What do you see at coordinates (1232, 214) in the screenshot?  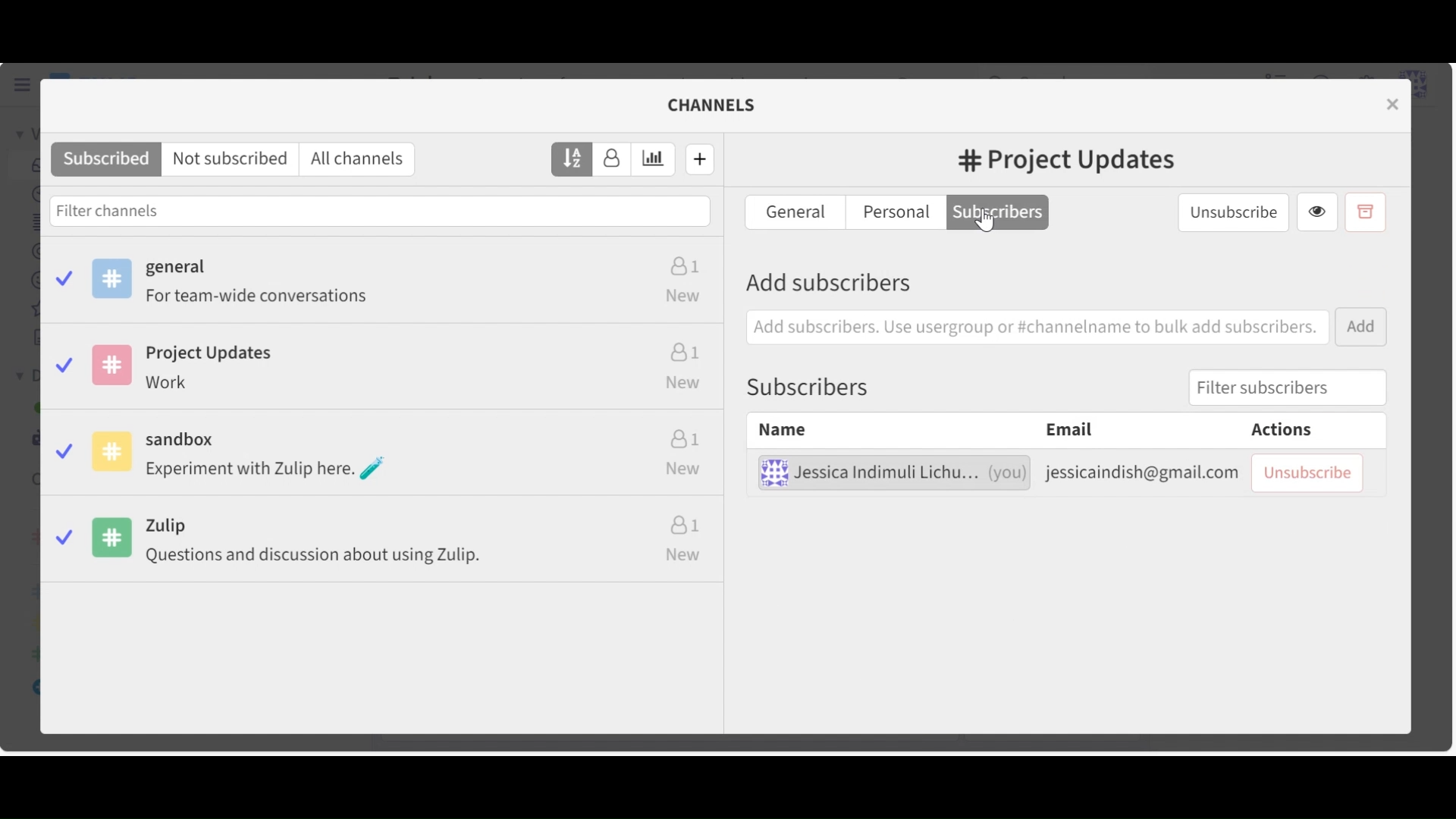 I see `Unsubscribe` at bounding box center [1232, 214].